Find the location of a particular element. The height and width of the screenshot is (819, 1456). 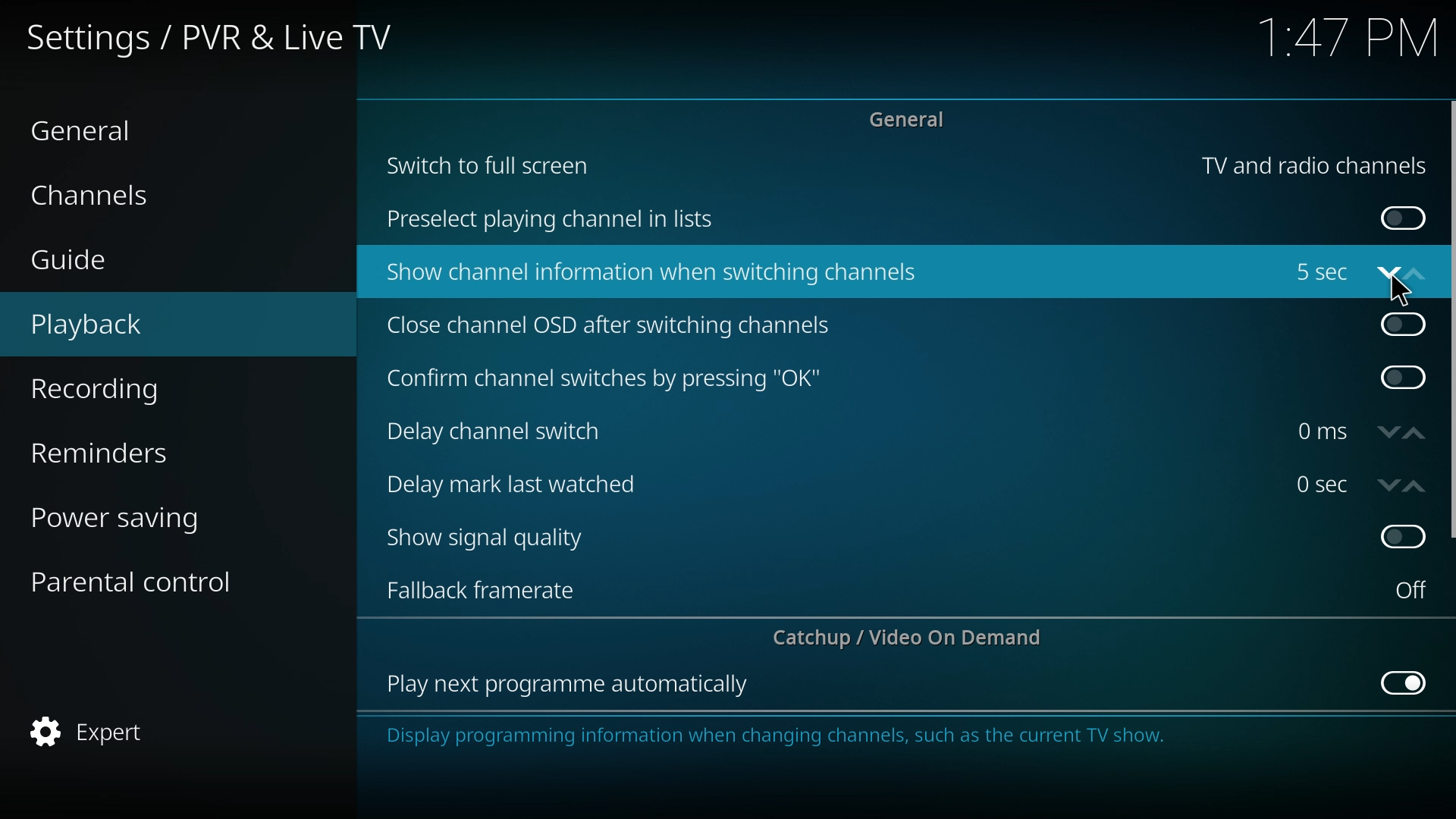

decrease time is located at coordinates (1387, 277).